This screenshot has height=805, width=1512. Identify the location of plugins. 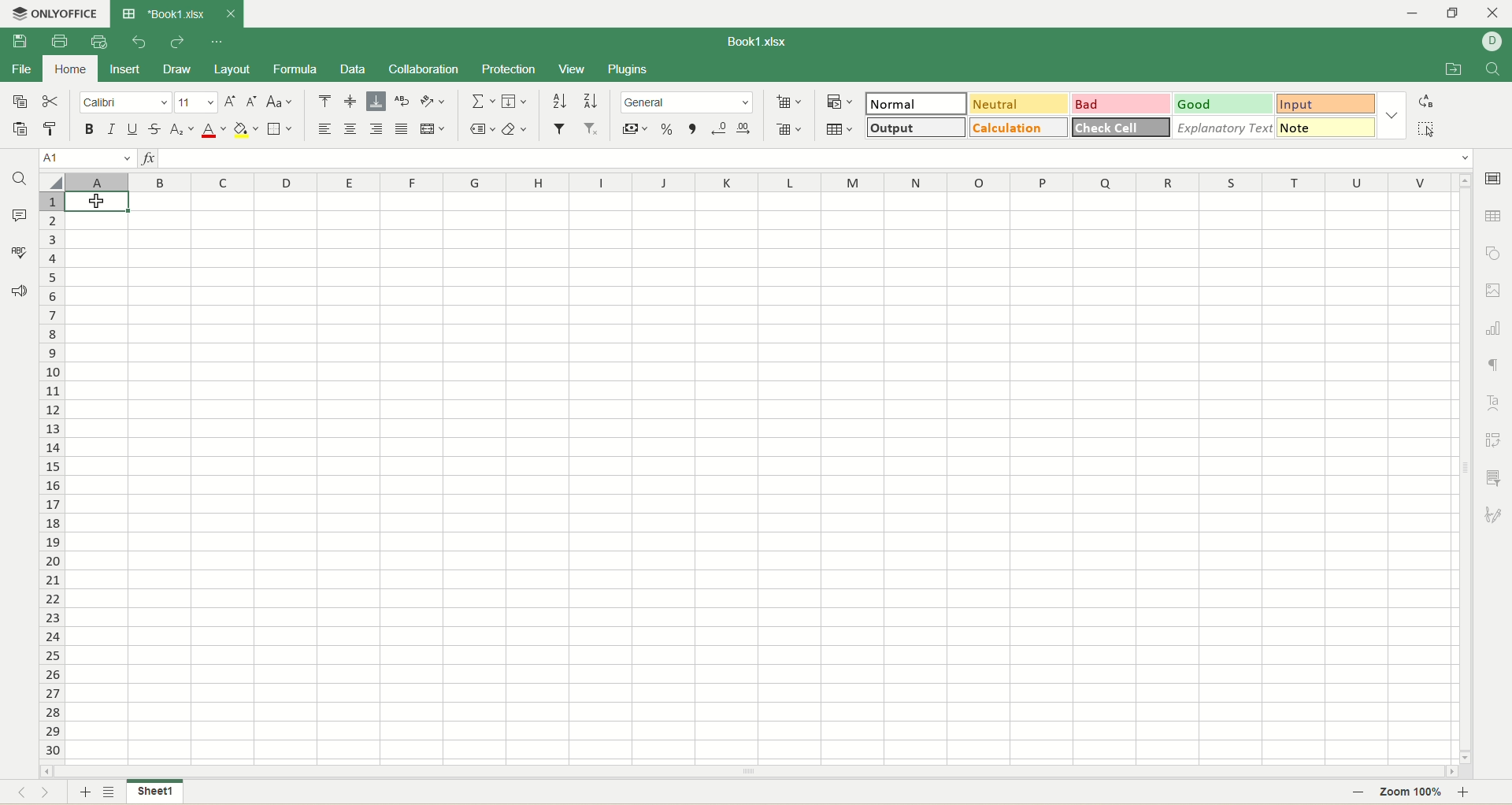
(627, 69).